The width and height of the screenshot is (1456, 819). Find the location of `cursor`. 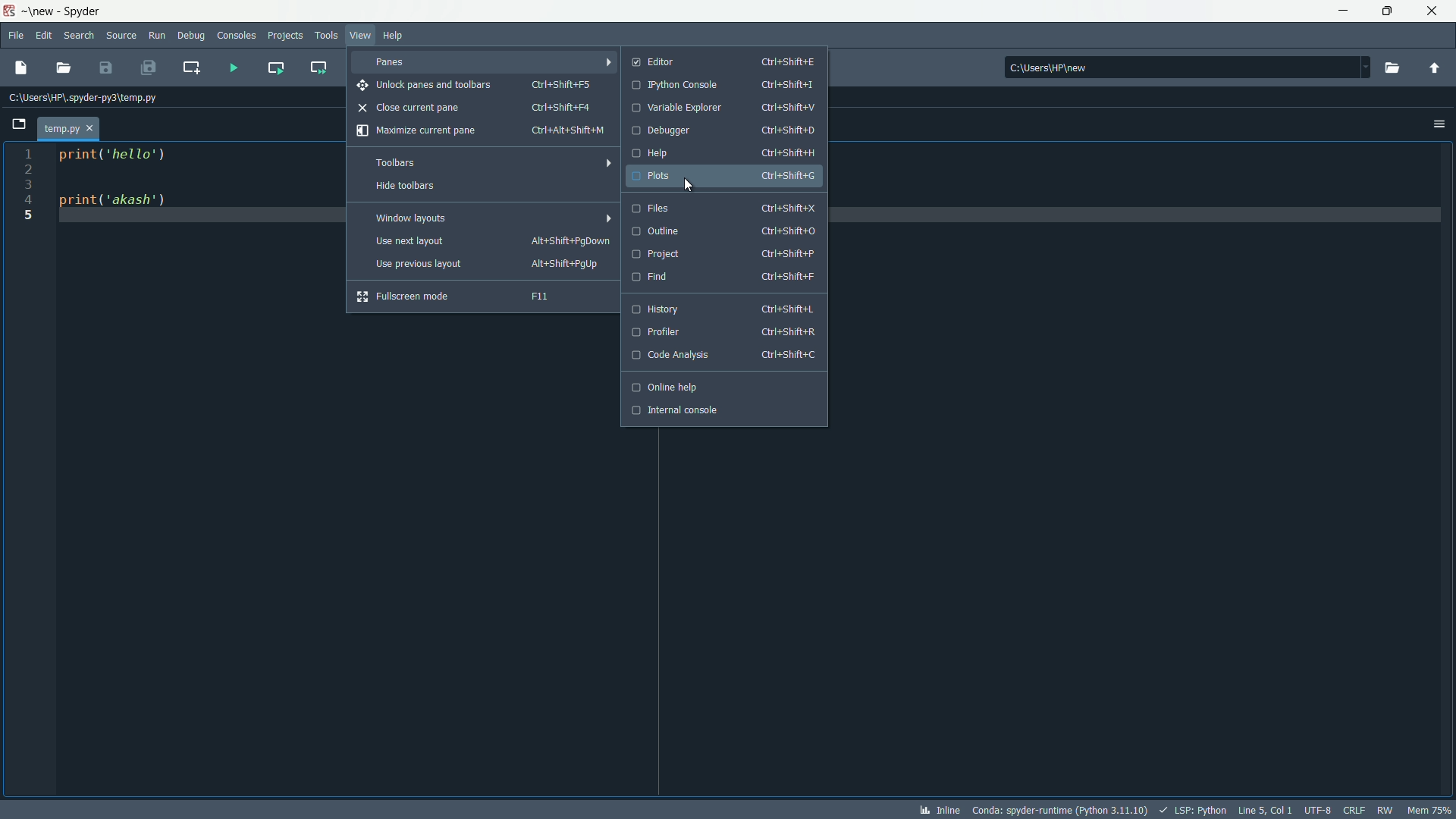

cursor is located at coordinates (689, 186).